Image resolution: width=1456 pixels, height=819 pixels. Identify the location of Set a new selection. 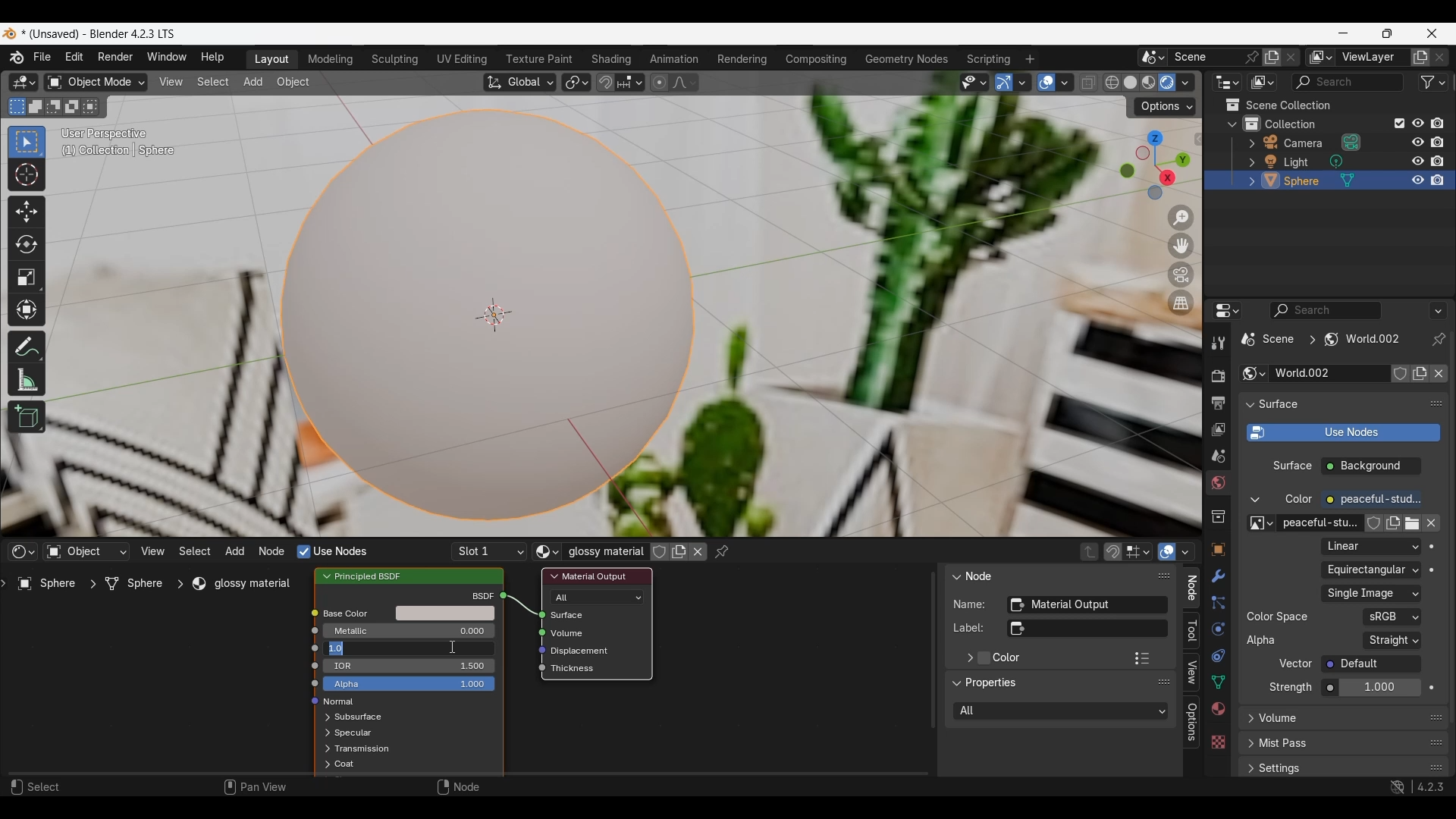
(17, 107).